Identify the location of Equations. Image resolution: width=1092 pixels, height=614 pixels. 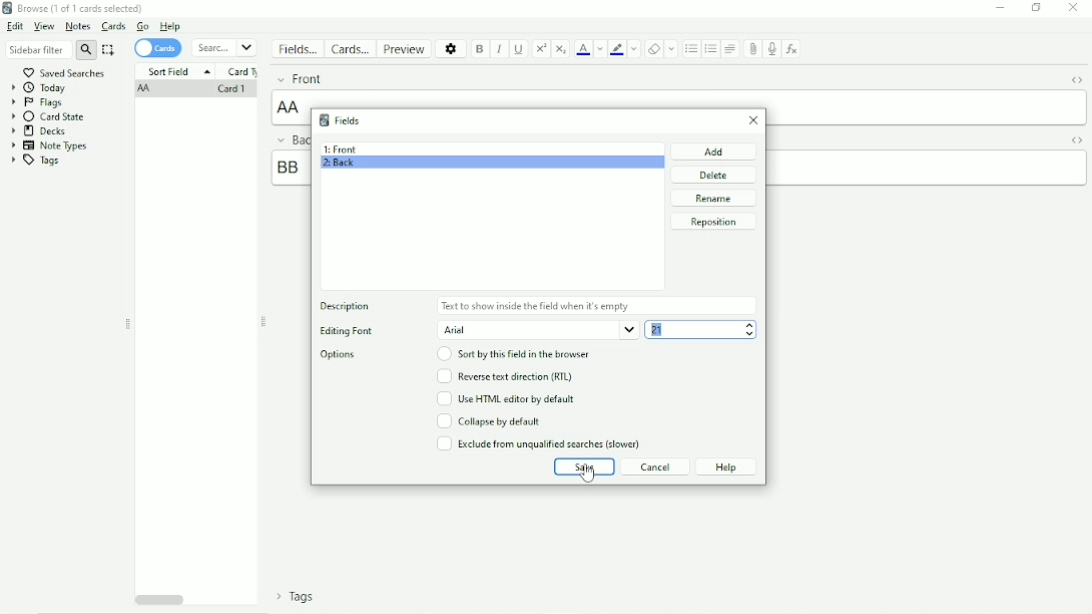
(791, 48).